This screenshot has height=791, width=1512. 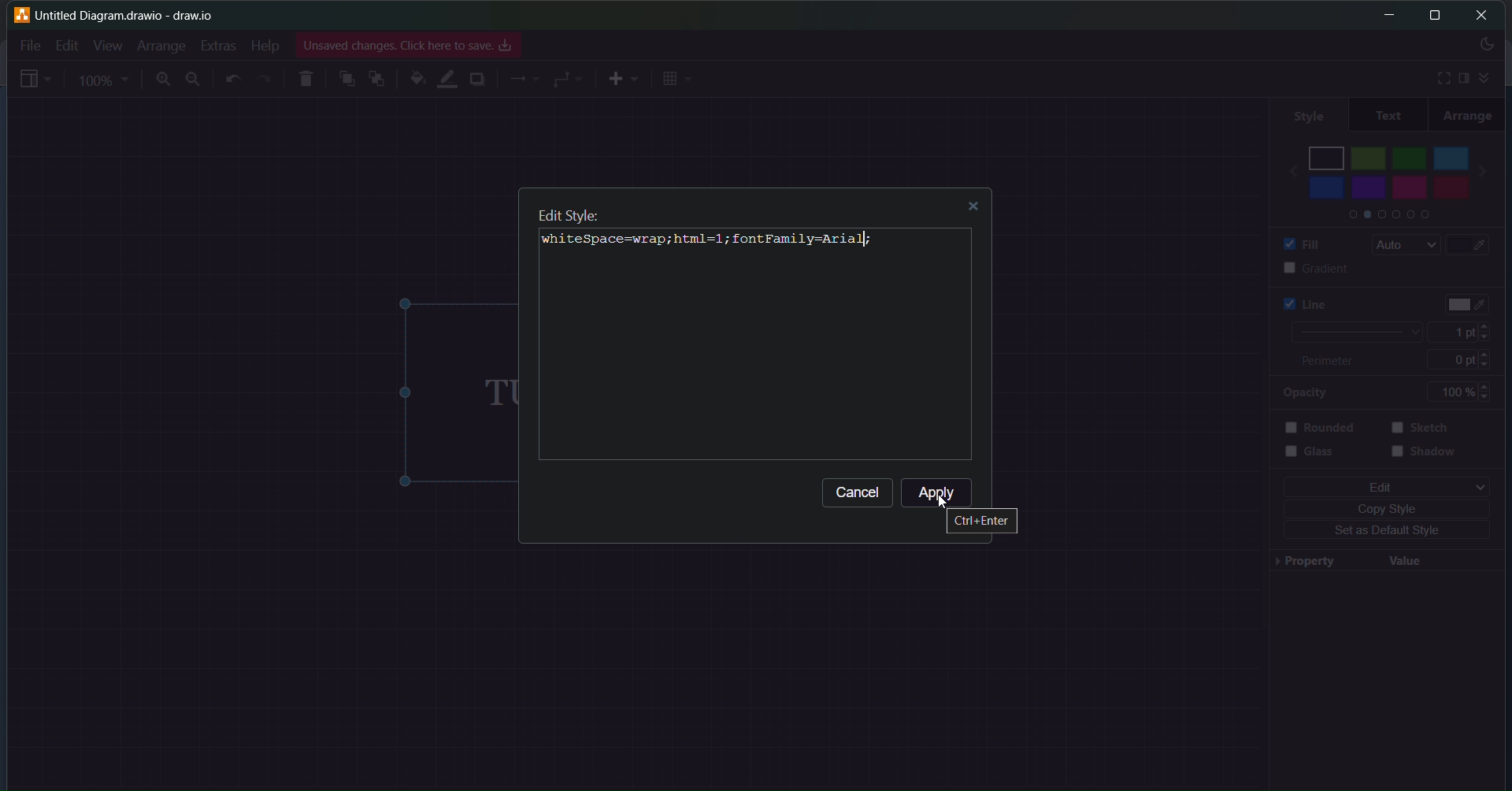 I want to click on text, so click(x=1388, y=115).